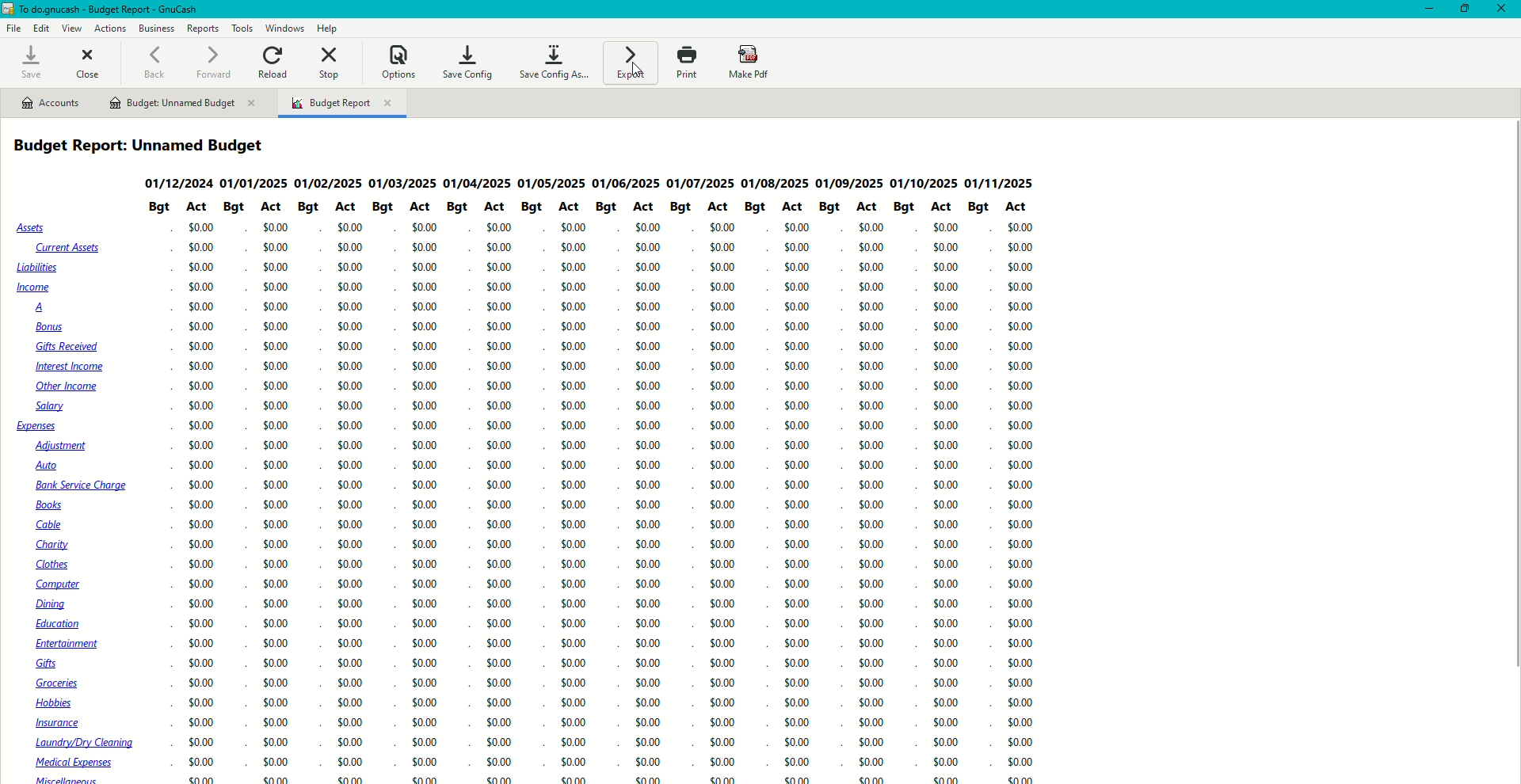  I want to click on 0.00, so click(202, 268).